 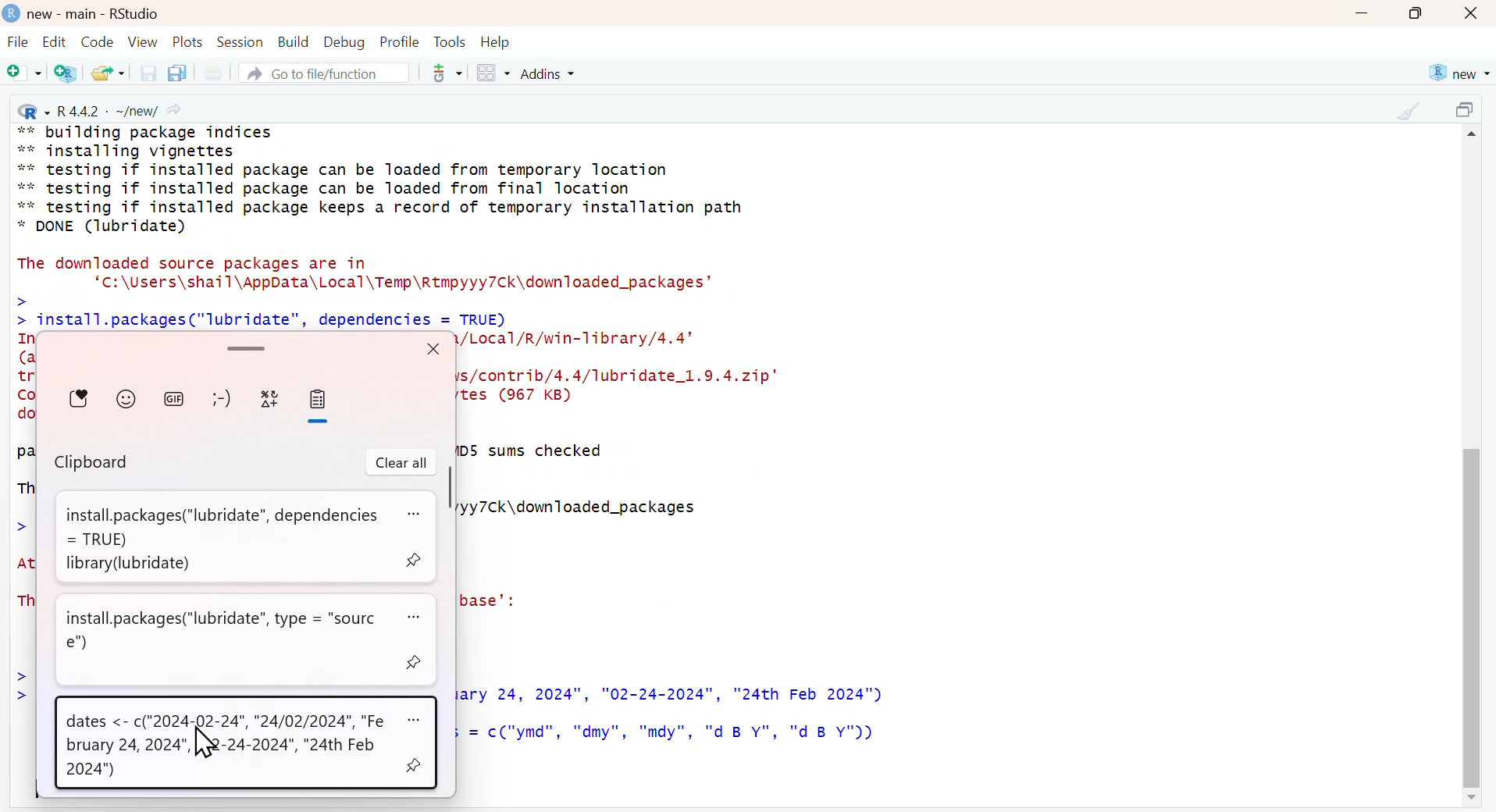 I want to click on pin, so click(x=415, y=763).